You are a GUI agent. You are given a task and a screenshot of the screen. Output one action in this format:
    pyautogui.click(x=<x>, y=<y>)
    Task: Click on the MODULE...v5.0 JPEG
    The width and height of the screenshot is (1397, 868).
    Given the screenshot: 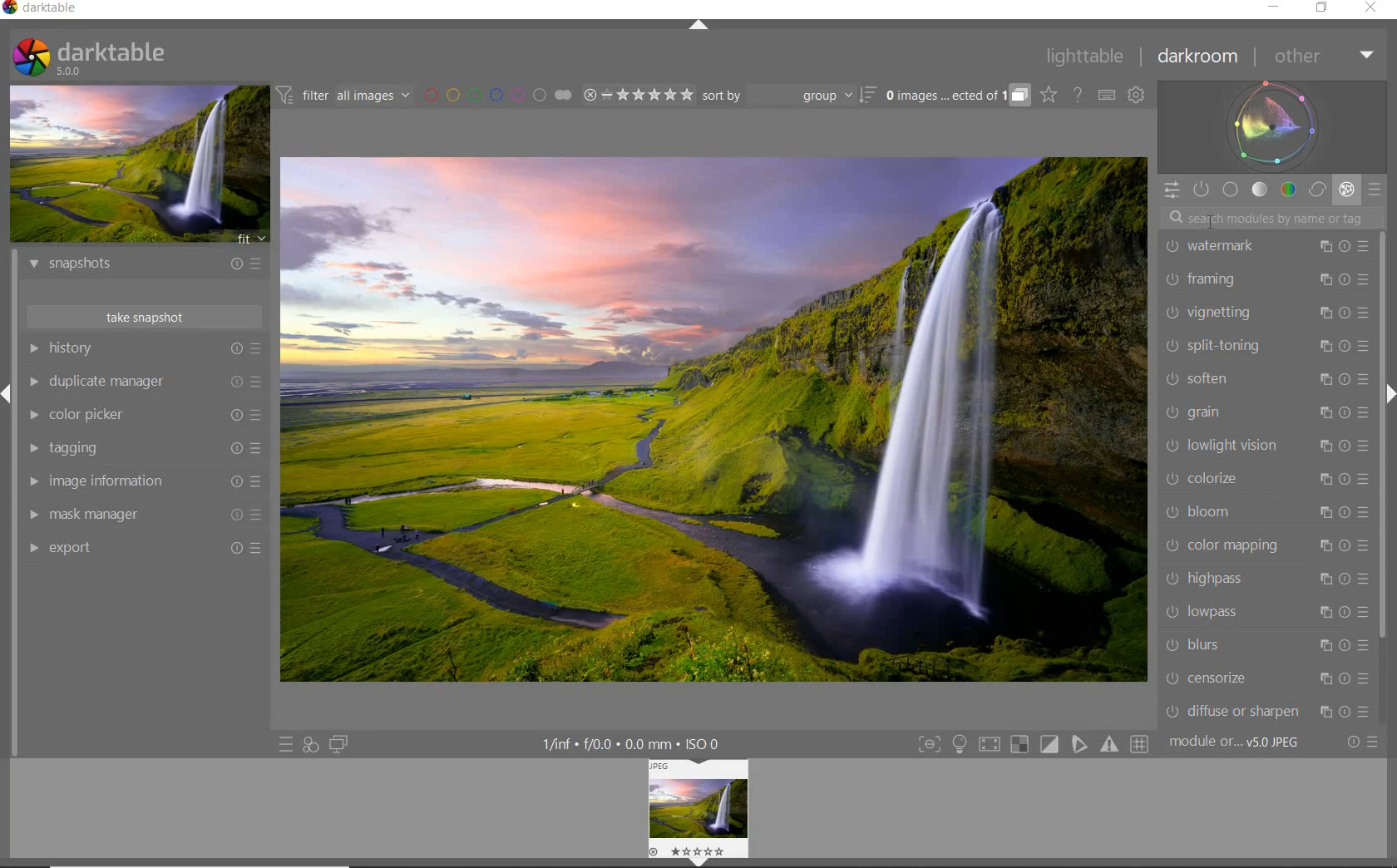 What is the action you would take?
    pyautogui.click(x=1239, y=743)
    